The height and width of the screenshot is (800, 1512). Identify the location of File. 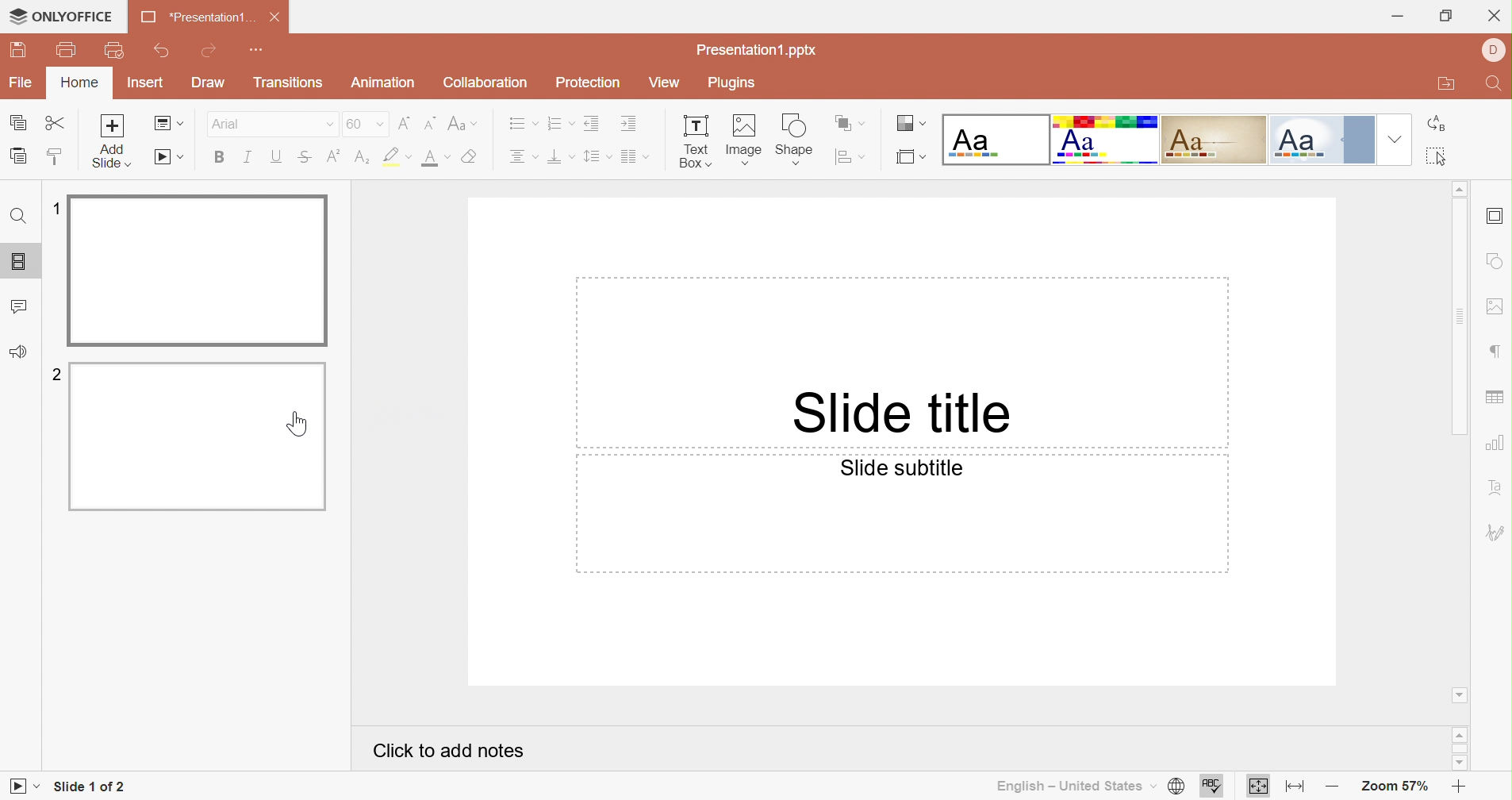
(18, 83).